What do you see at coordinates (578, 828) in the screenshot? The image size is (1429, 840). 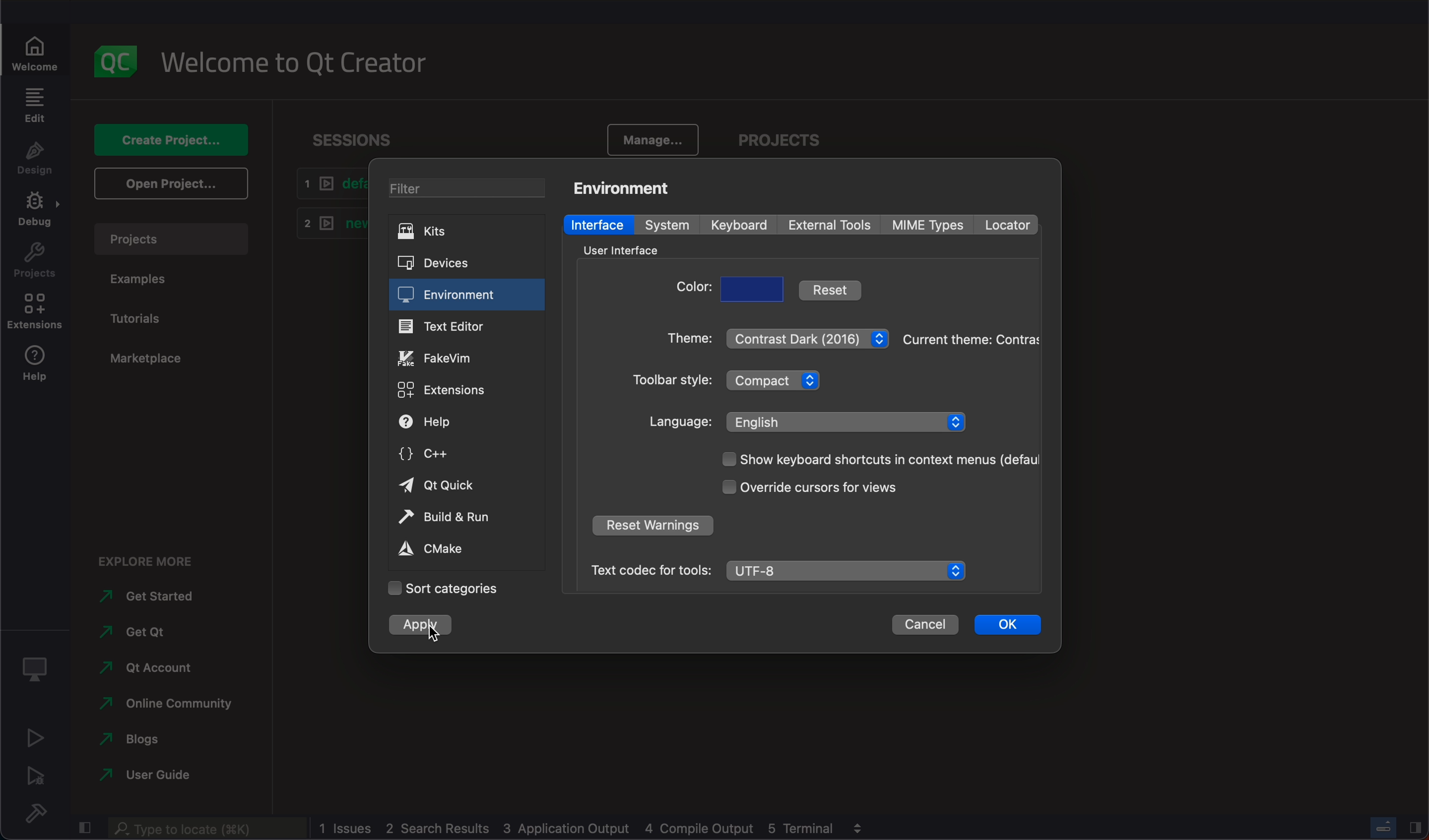 I see `logs` at bounding box center [578, 828].